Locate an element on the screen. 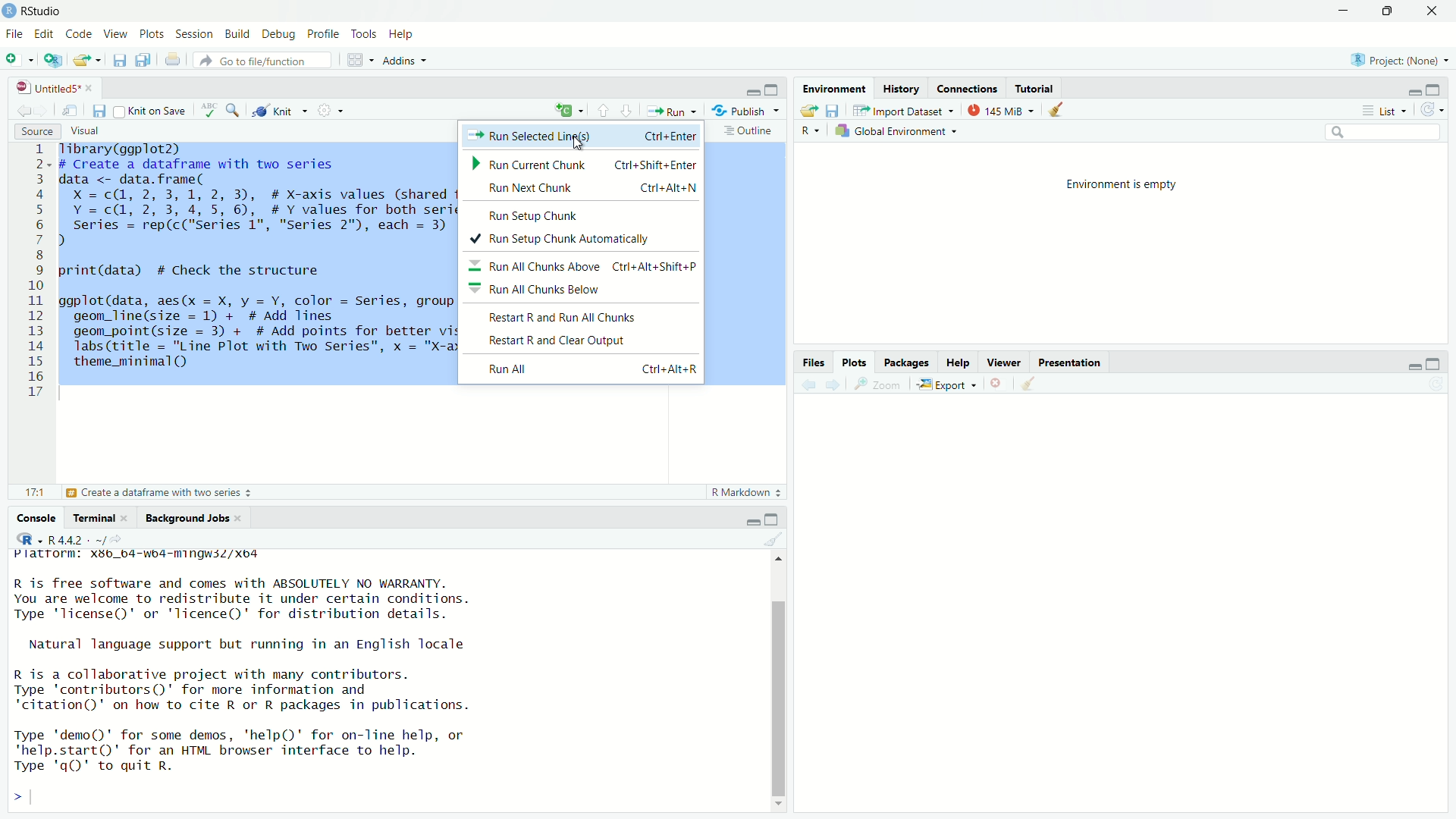  17:1 is located at coordinates (33, 492).